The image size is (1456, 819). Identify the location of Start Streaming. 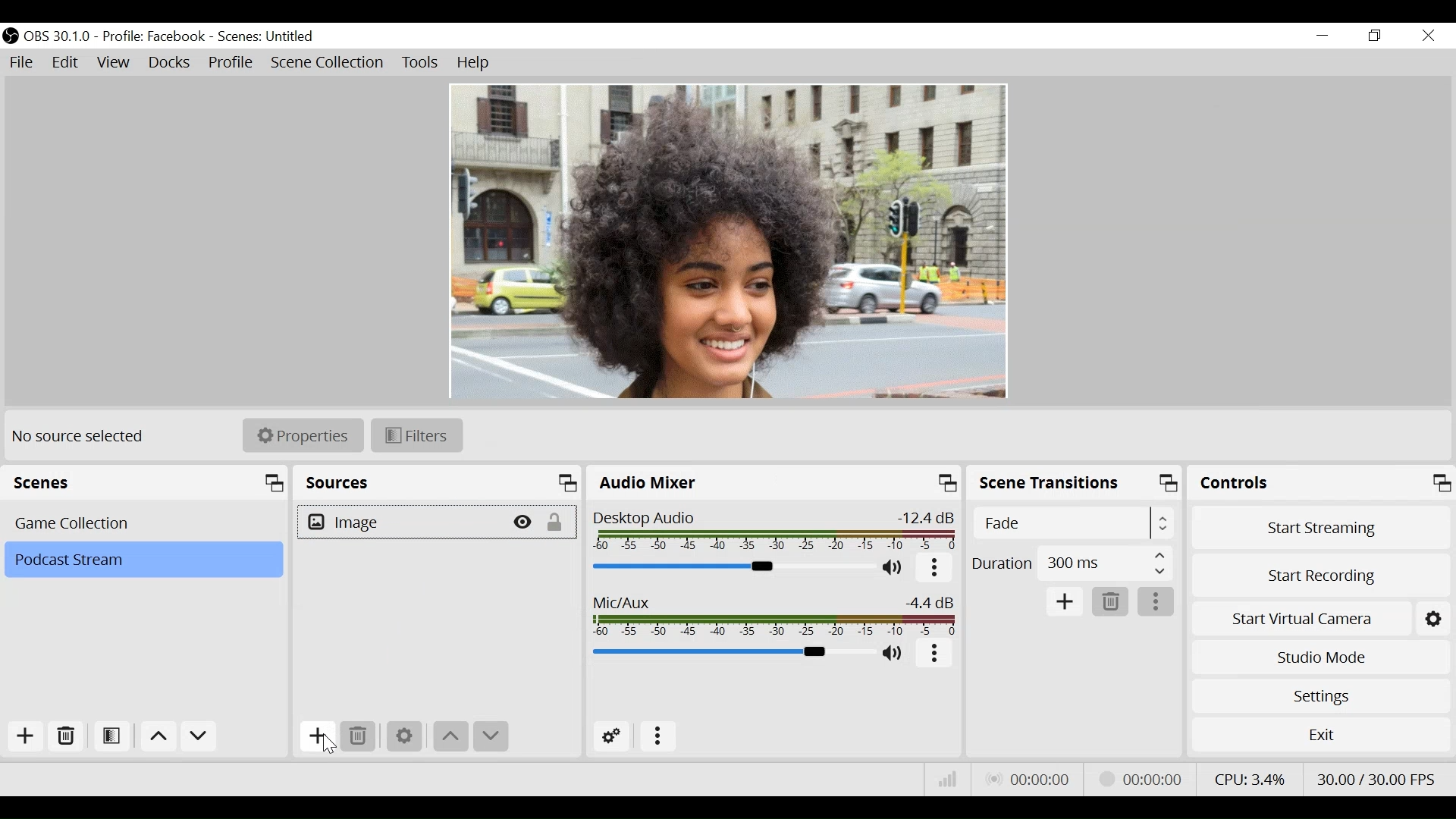
(1322, 527).